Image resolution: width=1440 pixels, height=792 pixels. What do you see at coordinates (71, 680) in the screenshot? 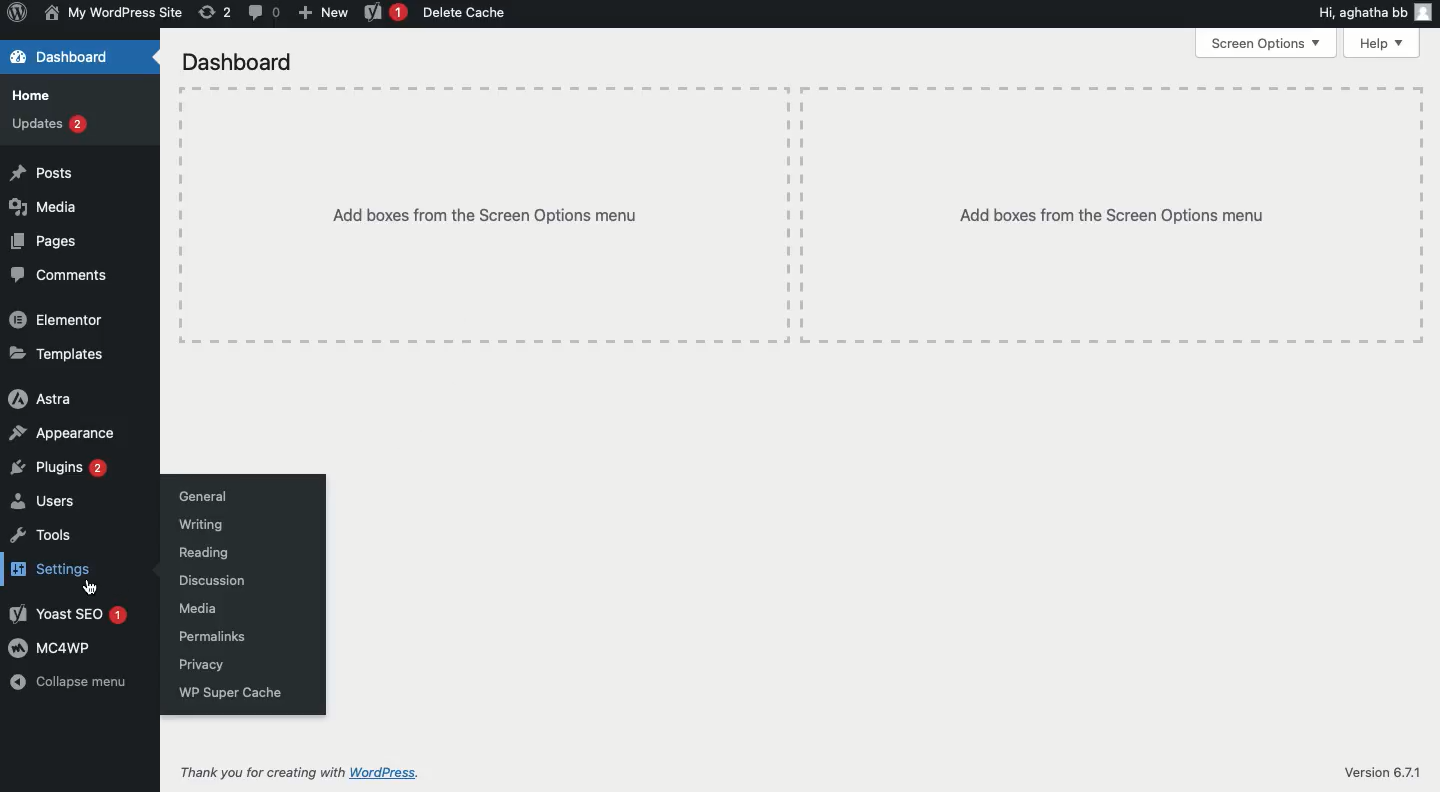
I see `Collapse menu` at bounding box center [71, 680].